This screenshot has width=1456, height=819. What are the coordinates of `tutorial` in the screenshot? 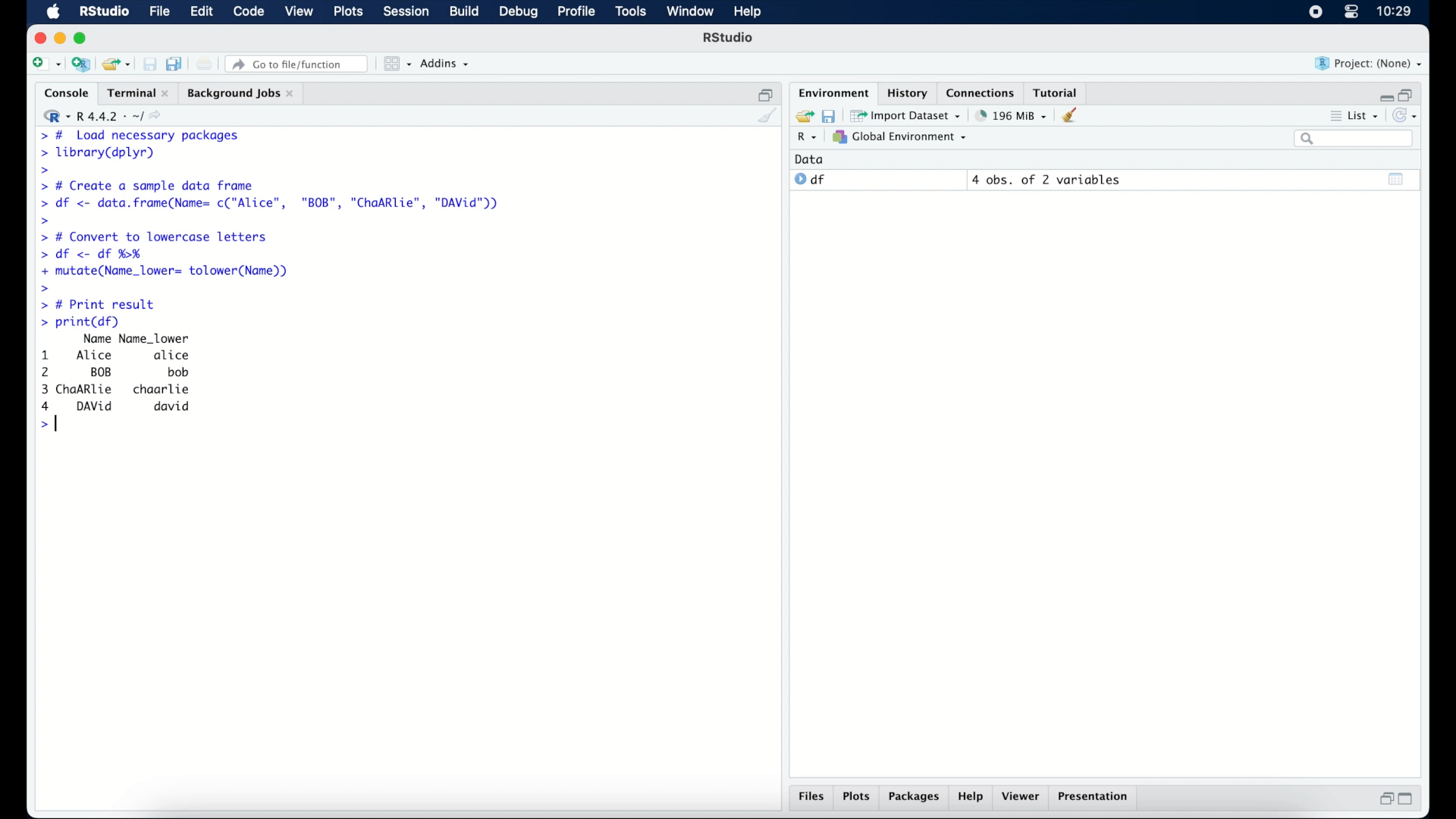 It's located at (1059, 92).